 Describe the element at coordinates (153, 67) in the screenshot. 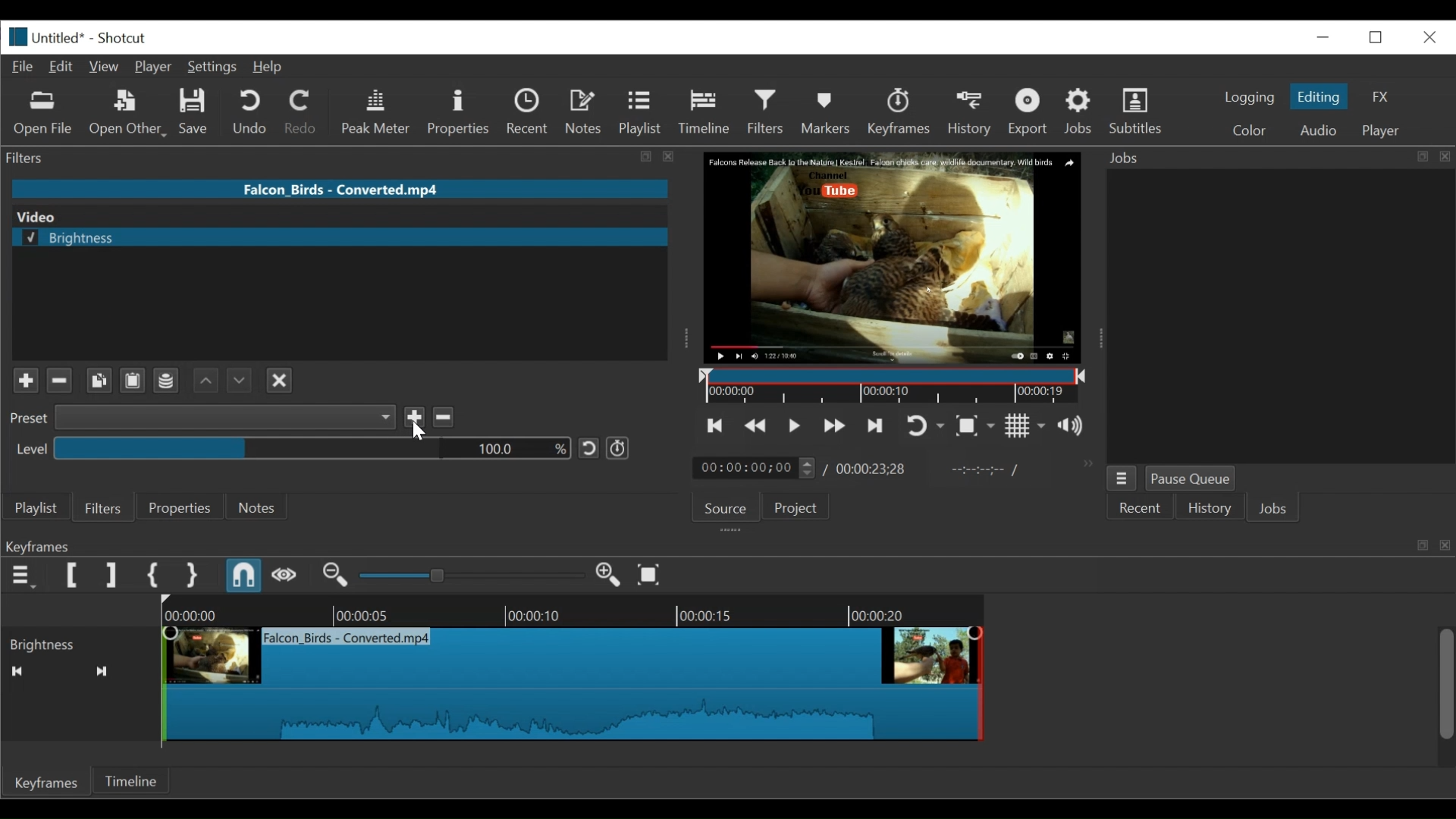

I see `Player` at that location.